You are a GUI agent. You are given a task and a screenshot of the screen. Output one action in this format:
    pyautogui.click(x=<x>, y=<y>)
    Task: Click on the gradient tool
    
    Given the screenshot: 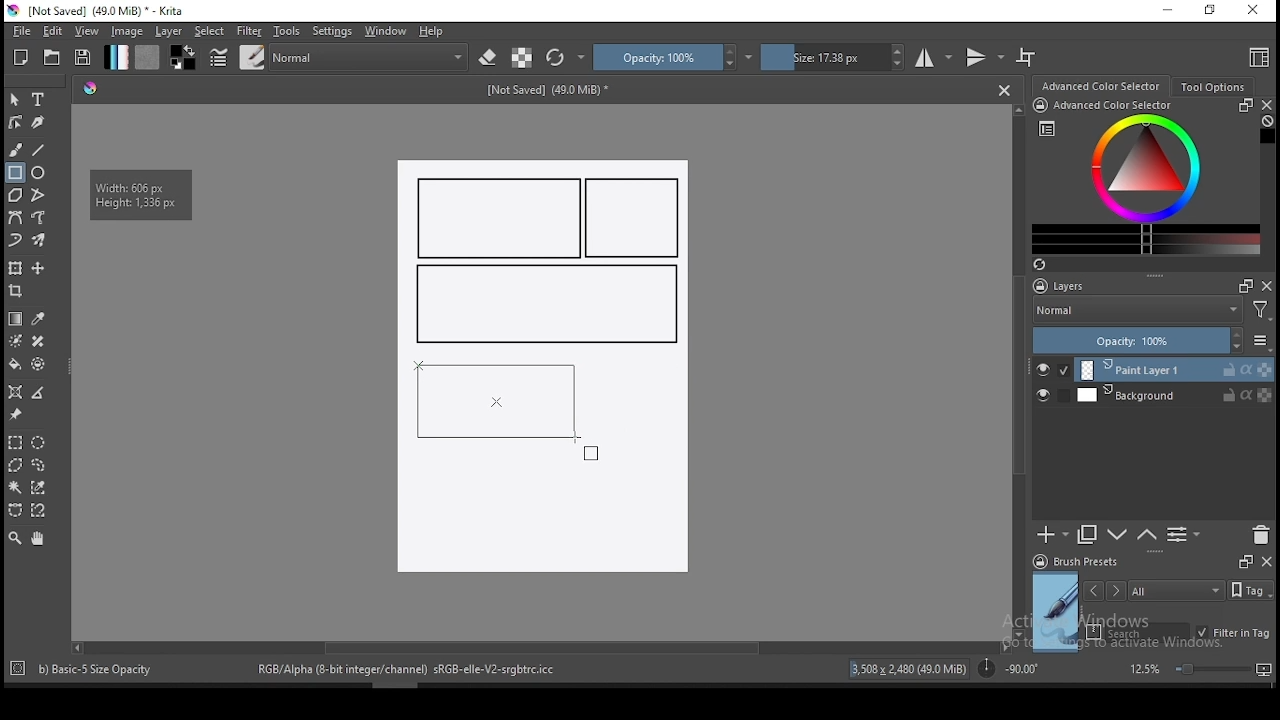 What is the action you would take?
    pyautogui.click(x=16, y=319)
    